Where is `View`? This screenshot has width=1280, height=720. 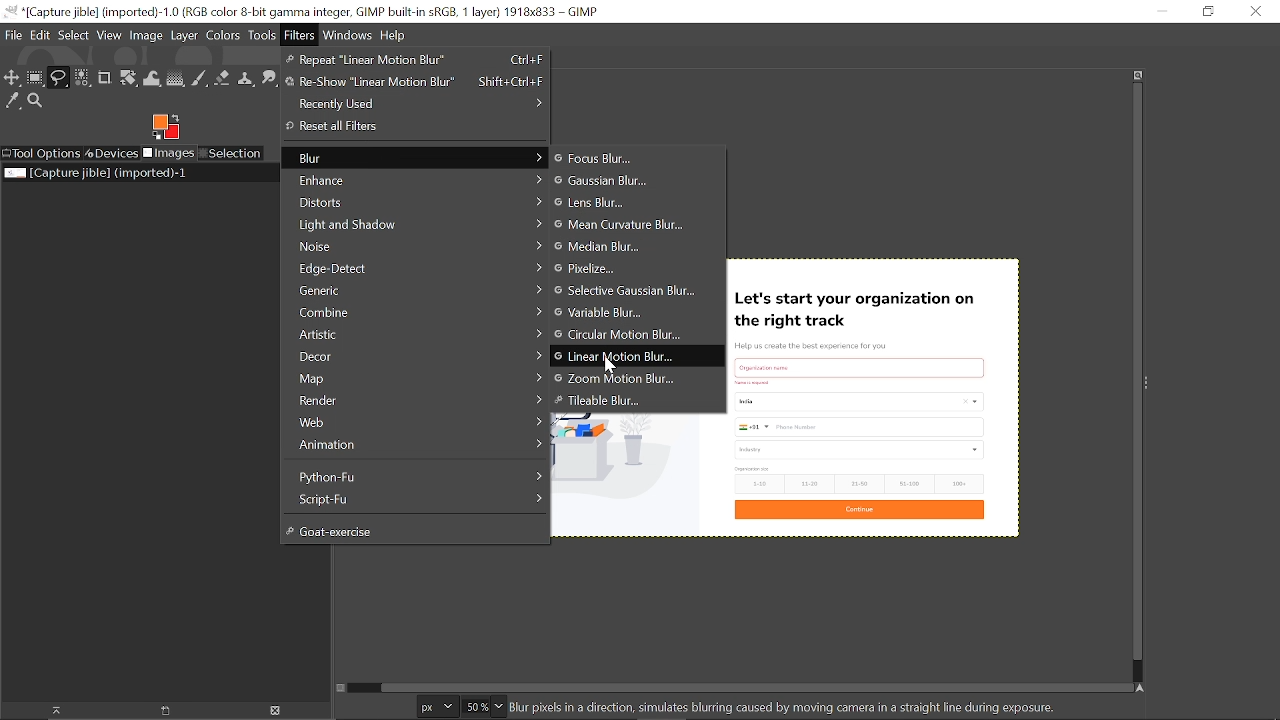
View is located at coordinates (110, 35).